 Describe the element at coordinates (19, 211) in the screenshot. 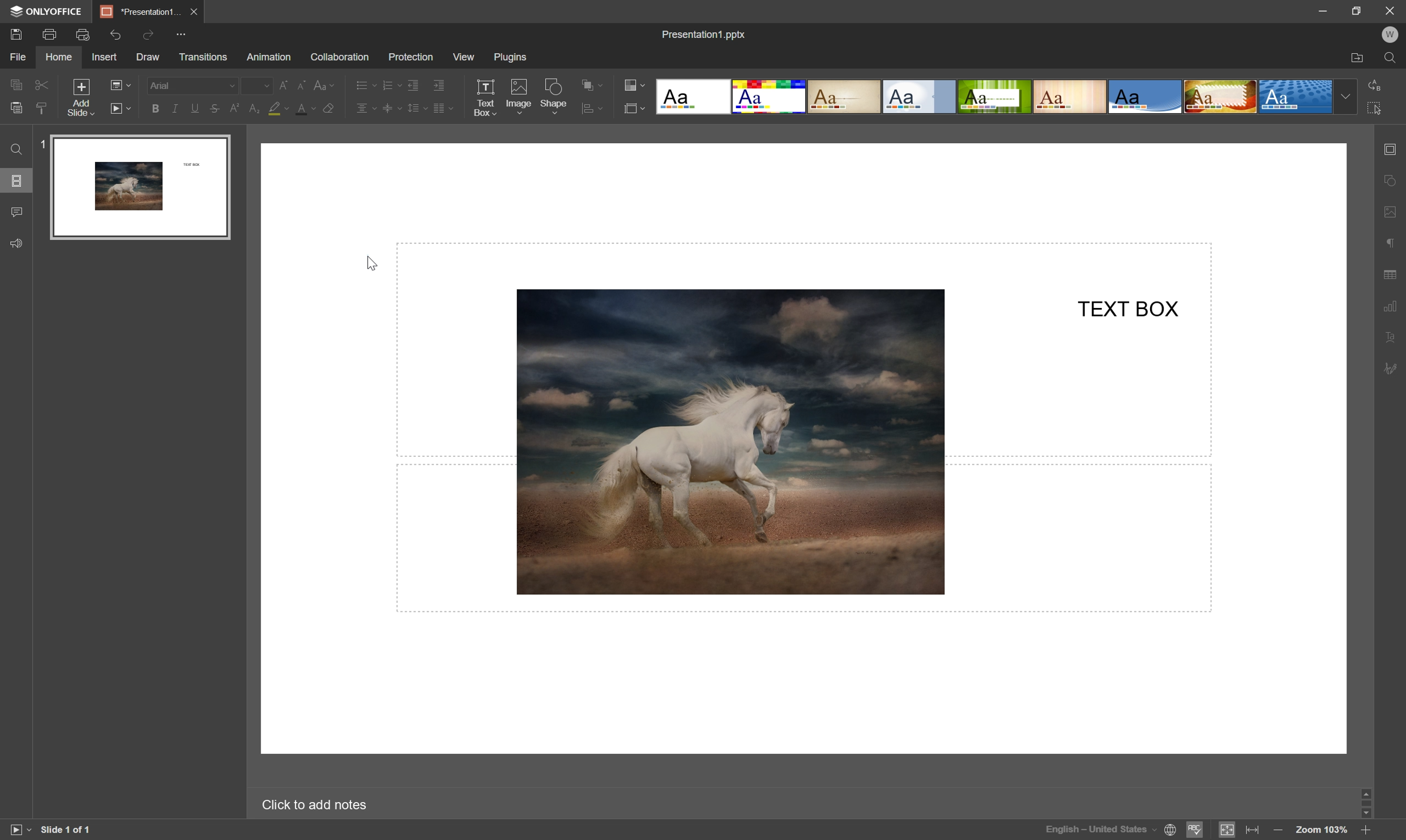

I see `comments` at that location.